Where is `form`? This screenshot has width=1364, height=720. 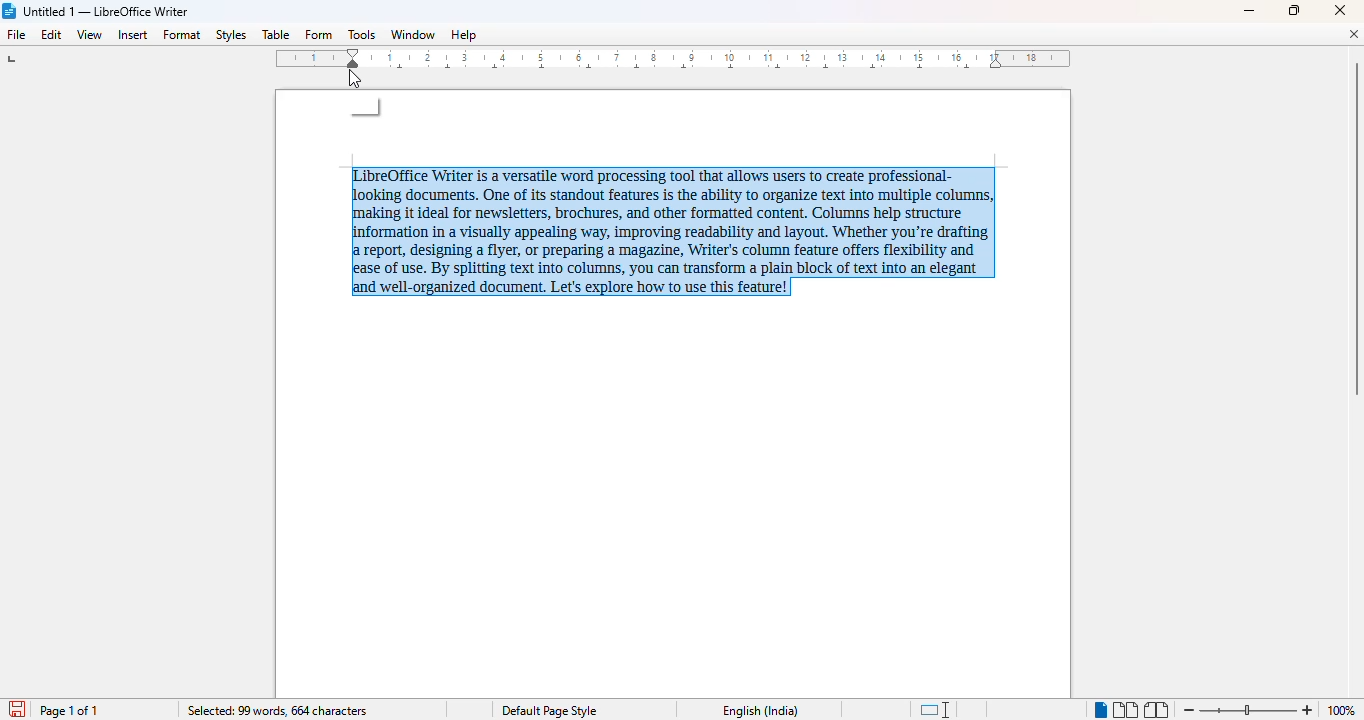
form is located at coordinates (318, 35).